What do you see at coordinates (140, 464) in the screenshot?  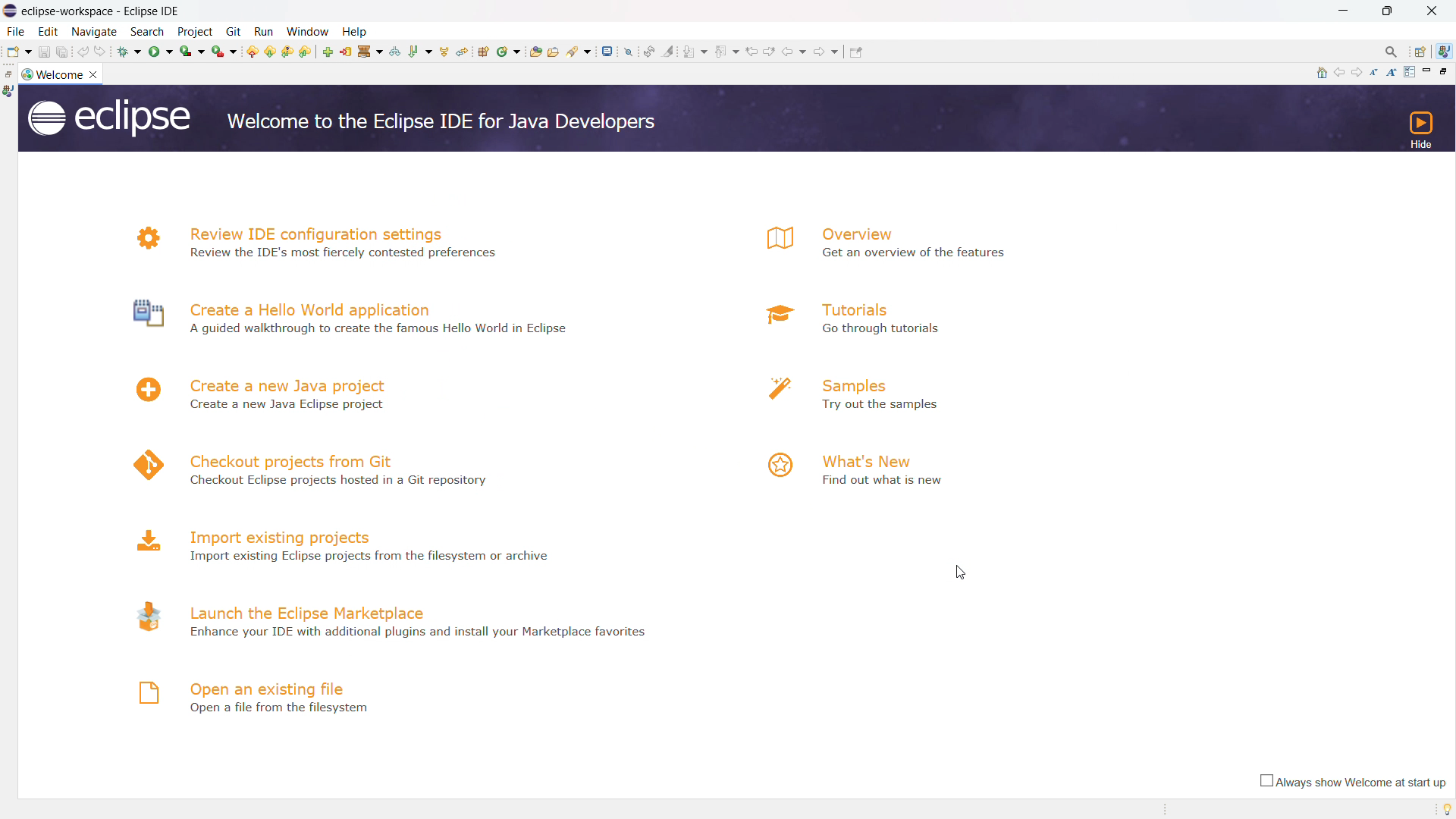 I see `logo` at bounding box center [140, 464].